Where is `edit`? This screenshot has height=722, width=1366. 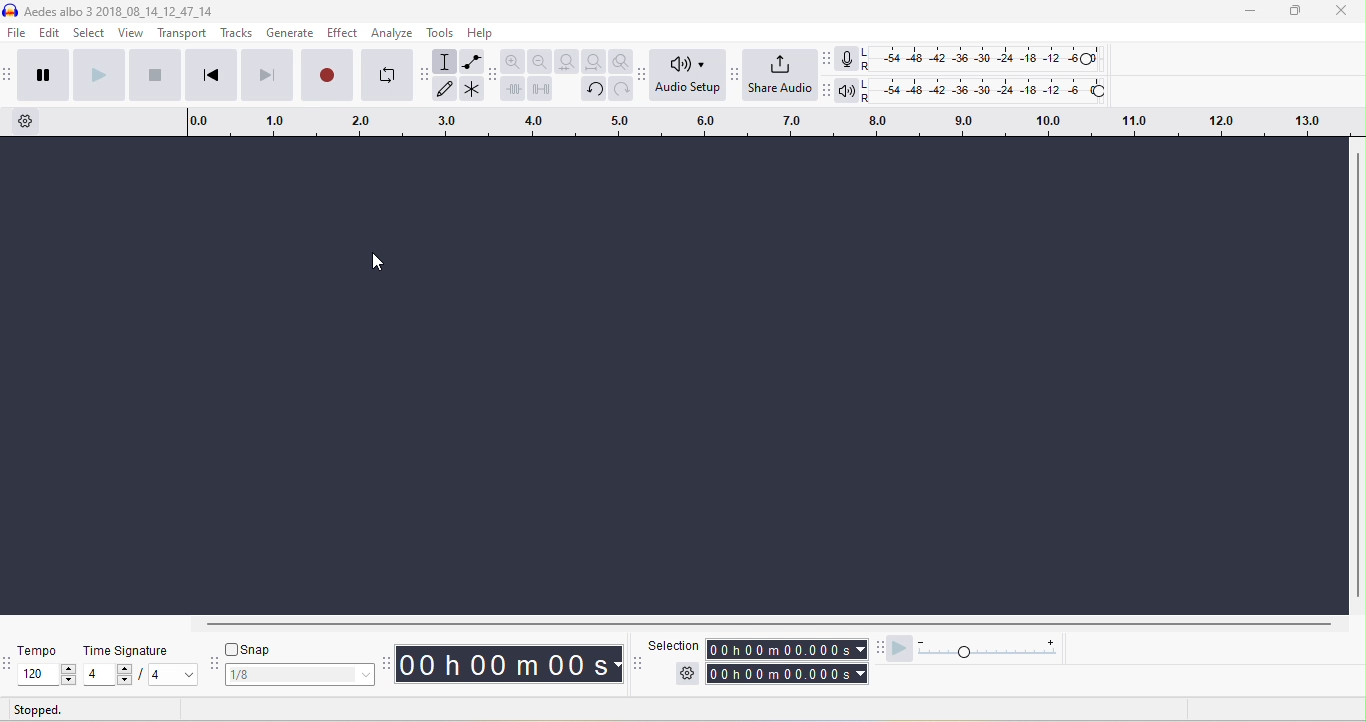
edit is located at coordinates (51, 34).